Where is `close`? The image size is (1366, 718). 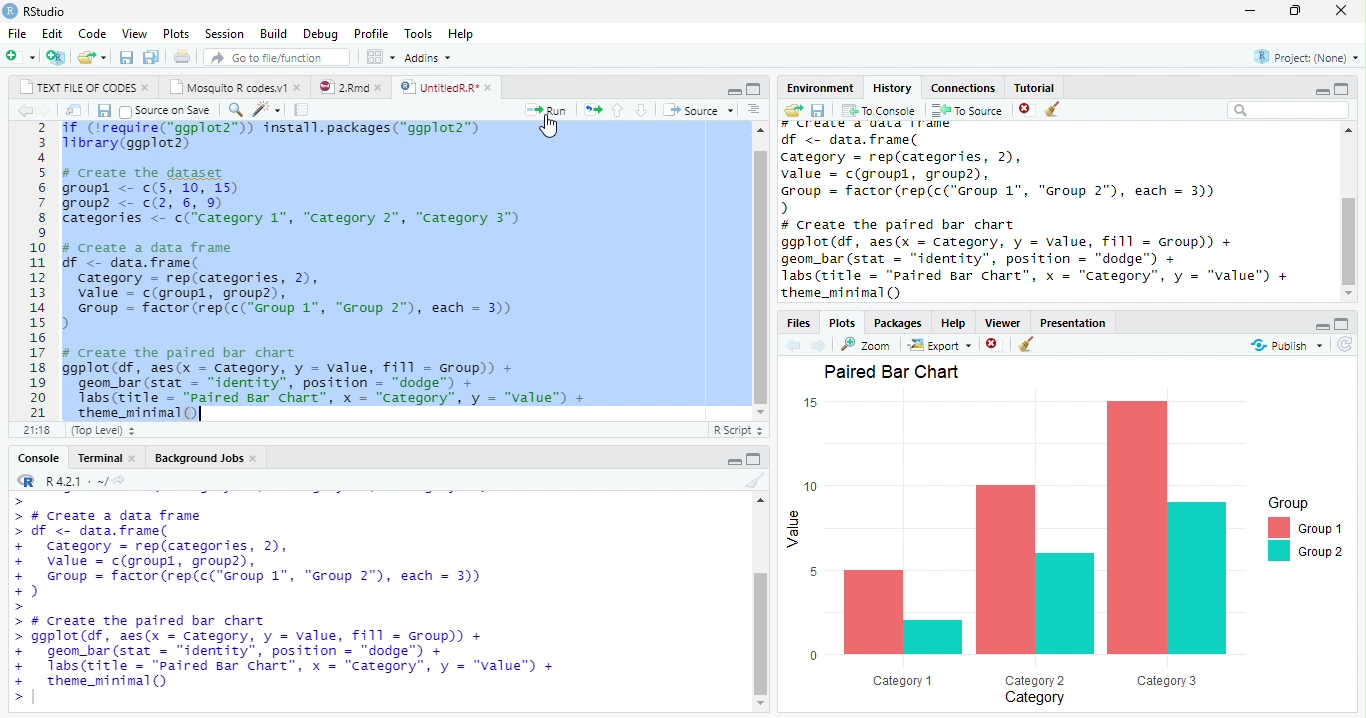 close is located at coordinates (992, 343).